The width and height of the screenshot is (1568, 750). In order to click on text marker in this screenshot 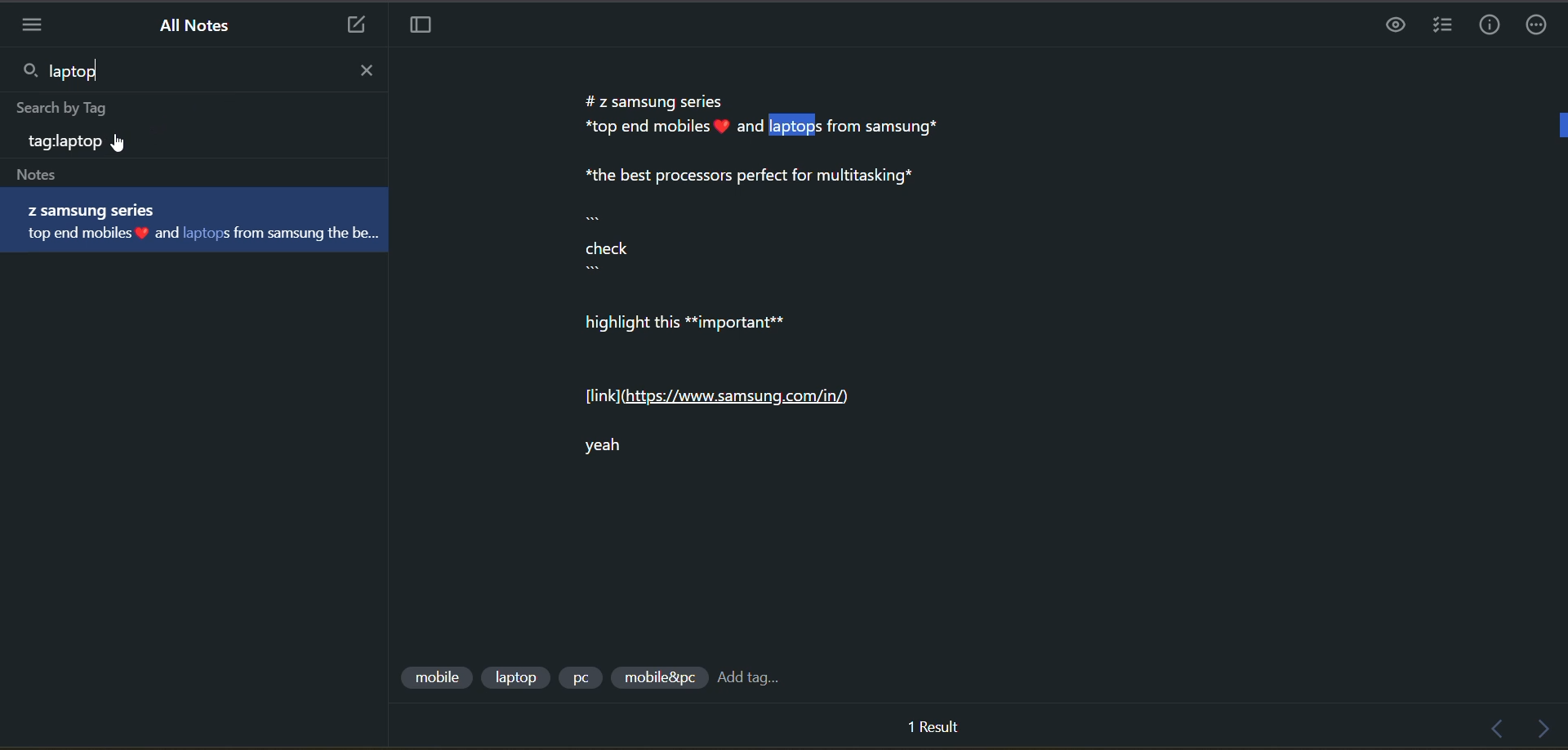, I will do `click(1558, 123)`.